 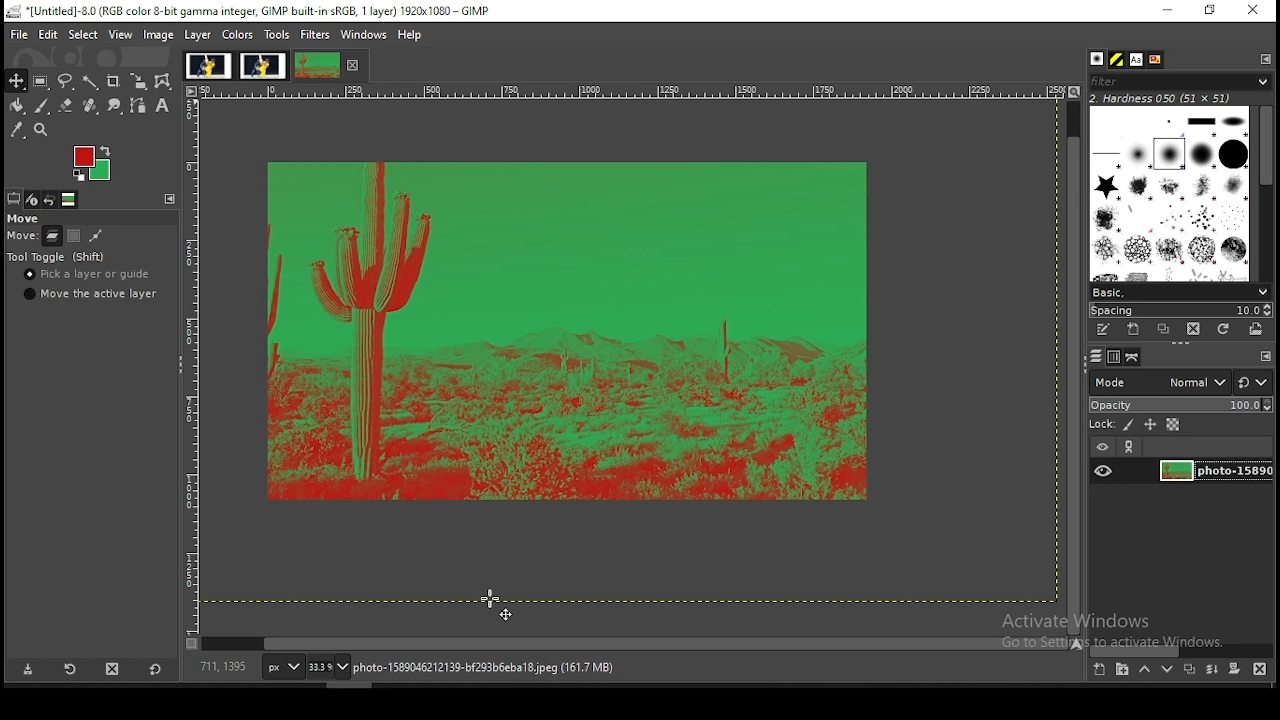 I want to click on restore, so click(x=1211, y=10).